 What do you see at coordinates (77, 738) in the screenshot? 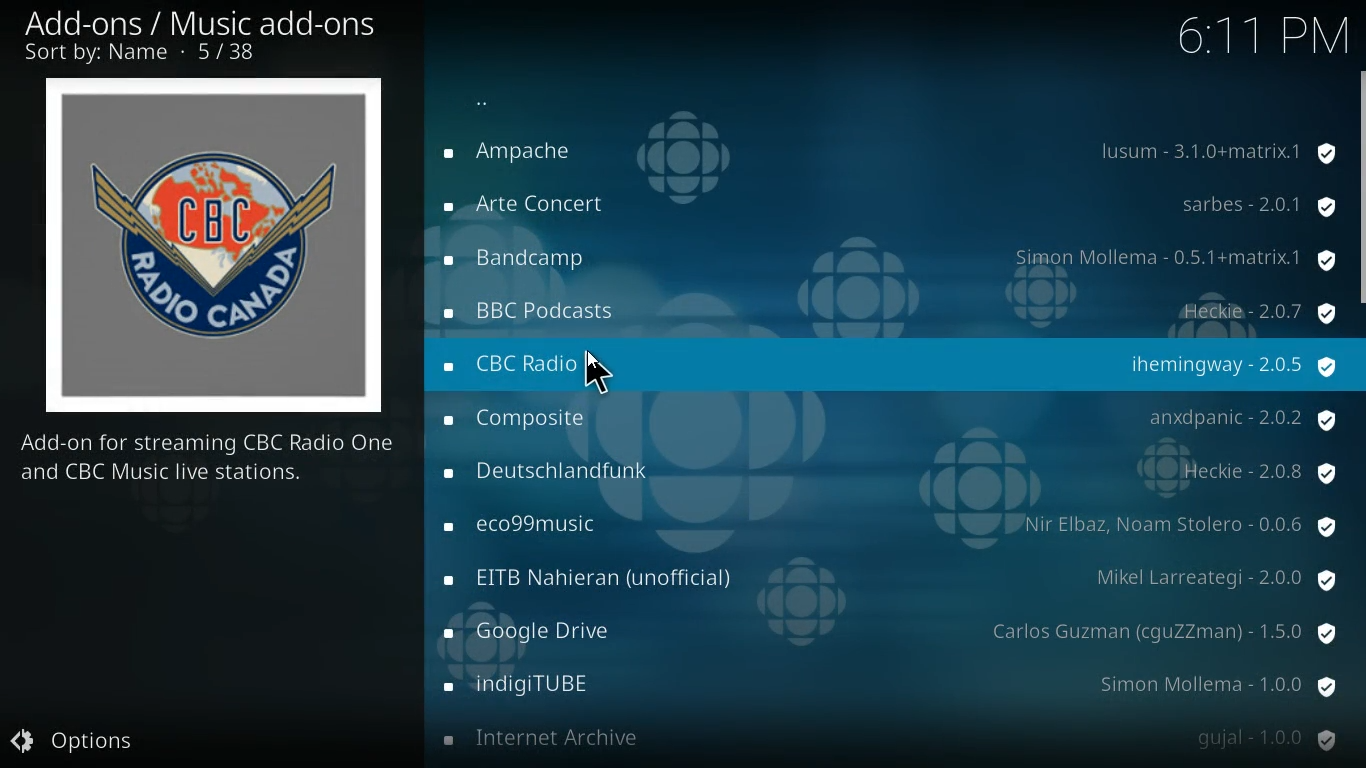
I see `options` at bounding box center [77, 738].